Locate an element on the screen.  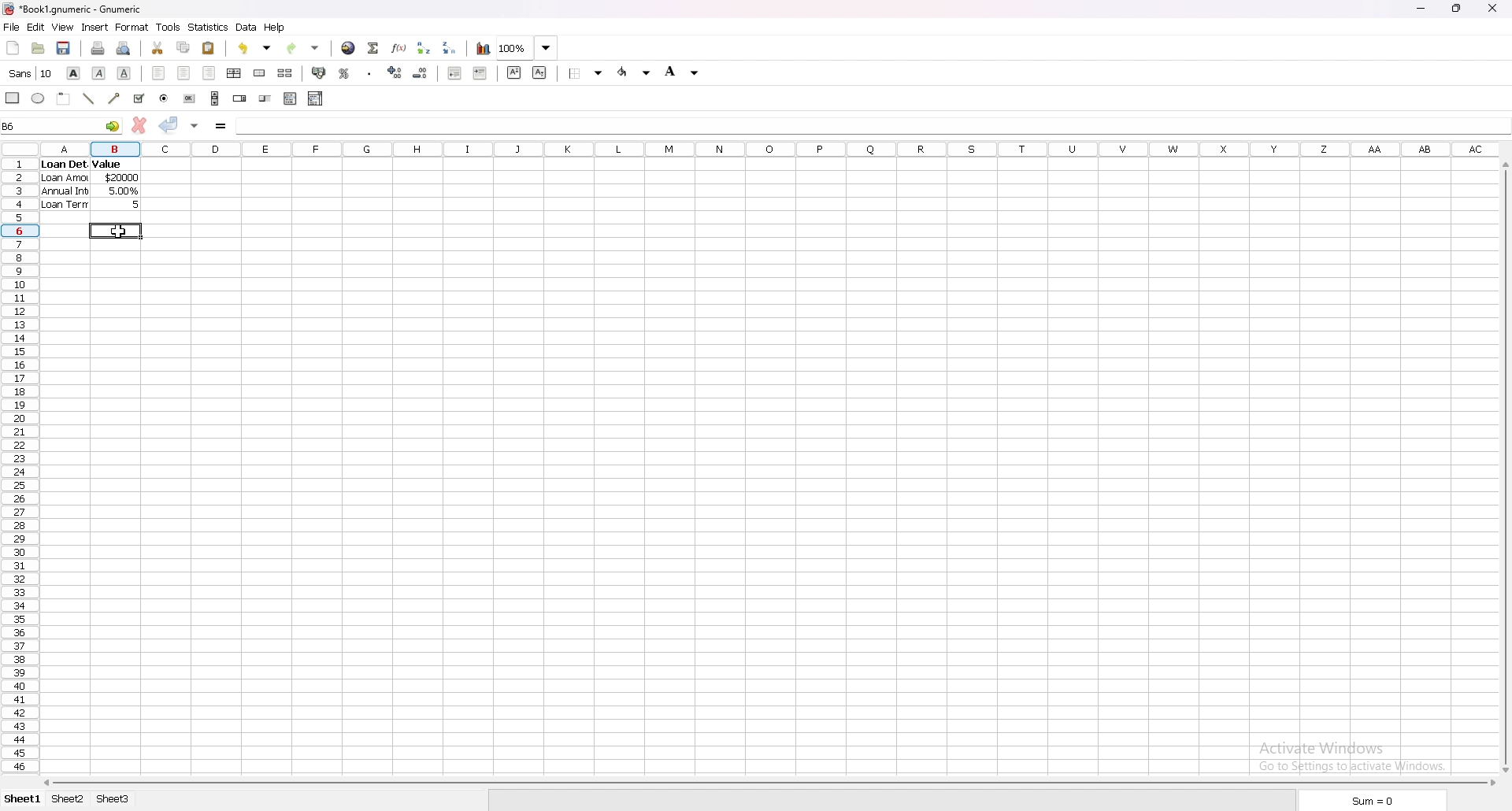
format is located at coordinates (133, 27).